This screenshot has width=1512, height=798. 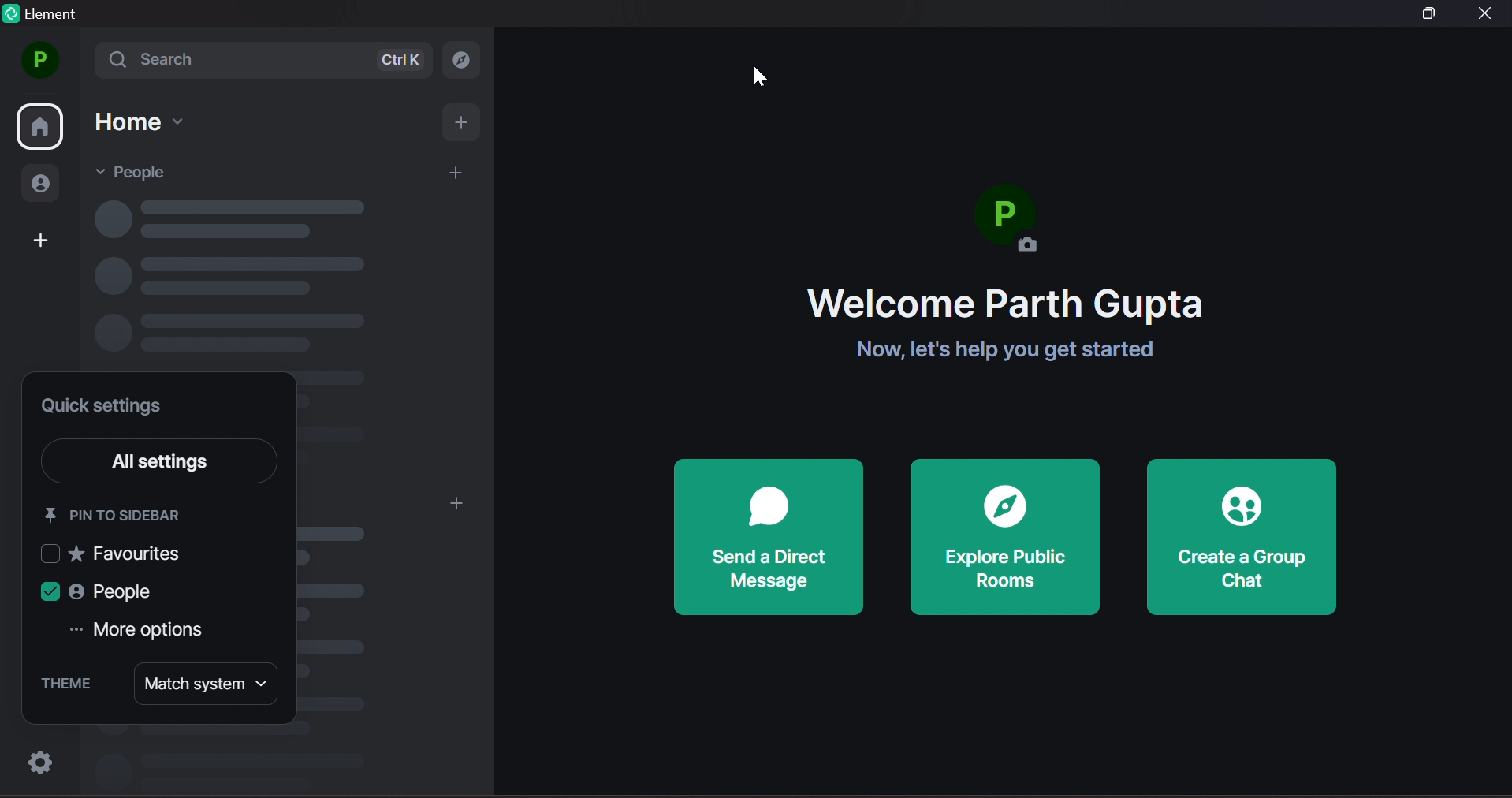 What do you see at coordinates (1005, 537) in the screenshot?
I see `explore public rooms` at bounding box center [1005, 537].